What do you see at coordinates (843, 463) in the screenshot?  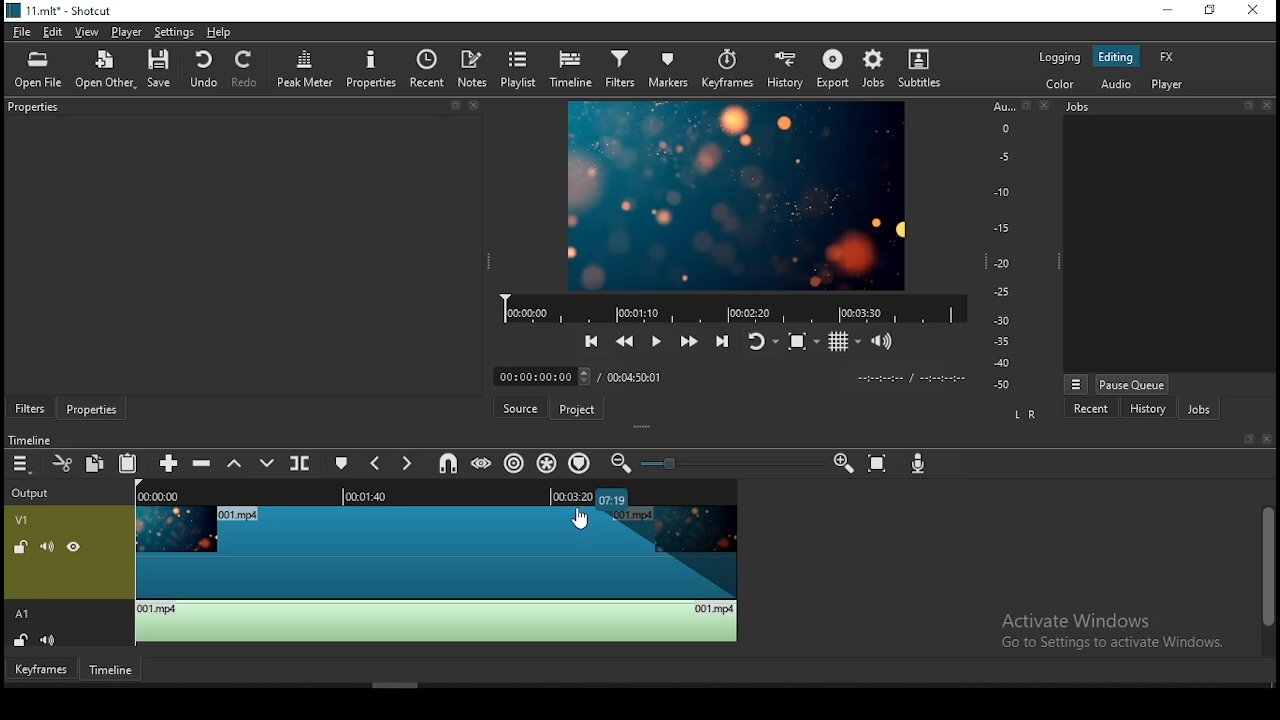 I see `zoom timeline` at bounding box center [843, 463].